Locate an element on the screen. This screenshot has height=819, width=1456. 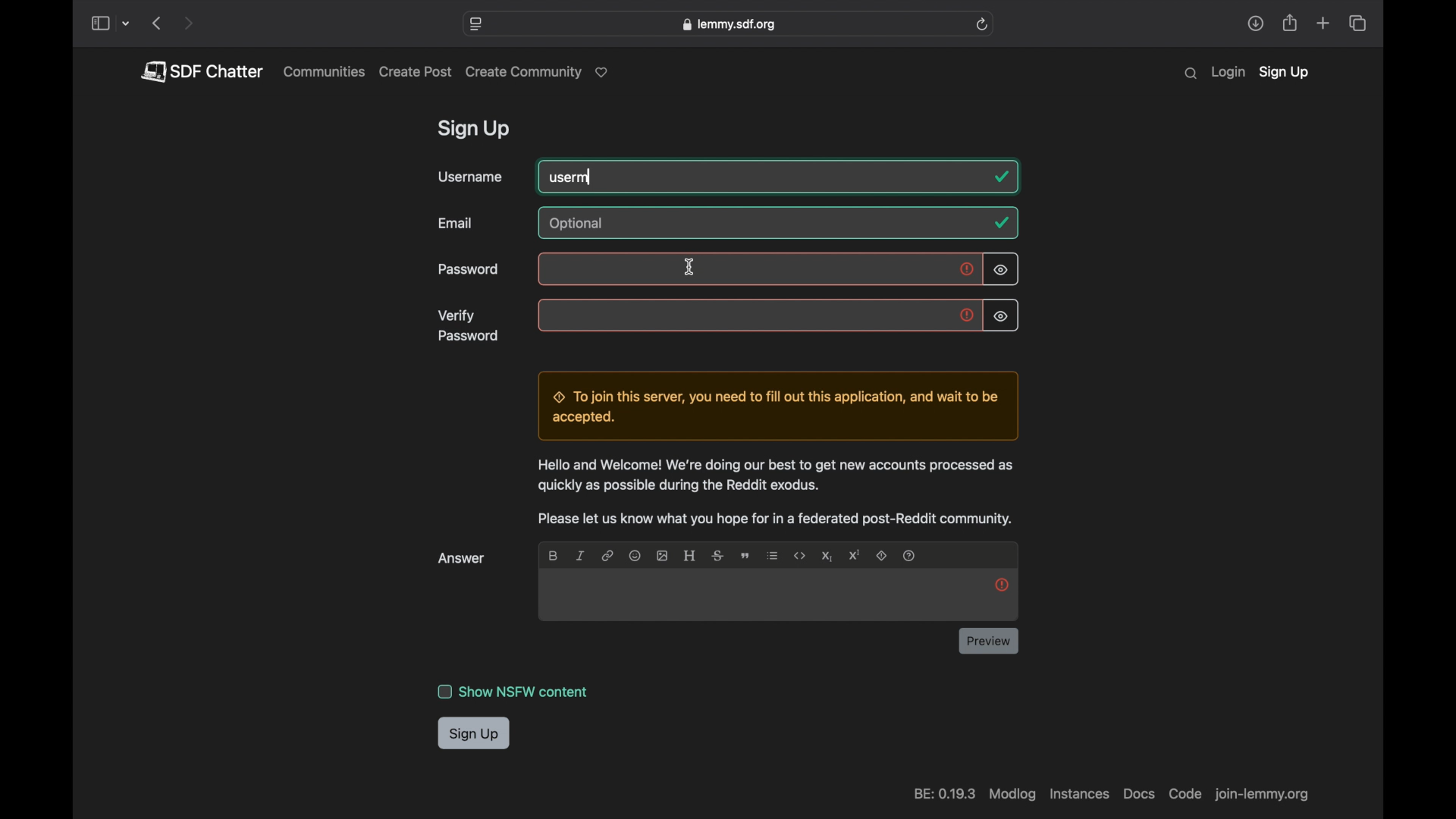
dialogue box is located at coordinates (774, 406).